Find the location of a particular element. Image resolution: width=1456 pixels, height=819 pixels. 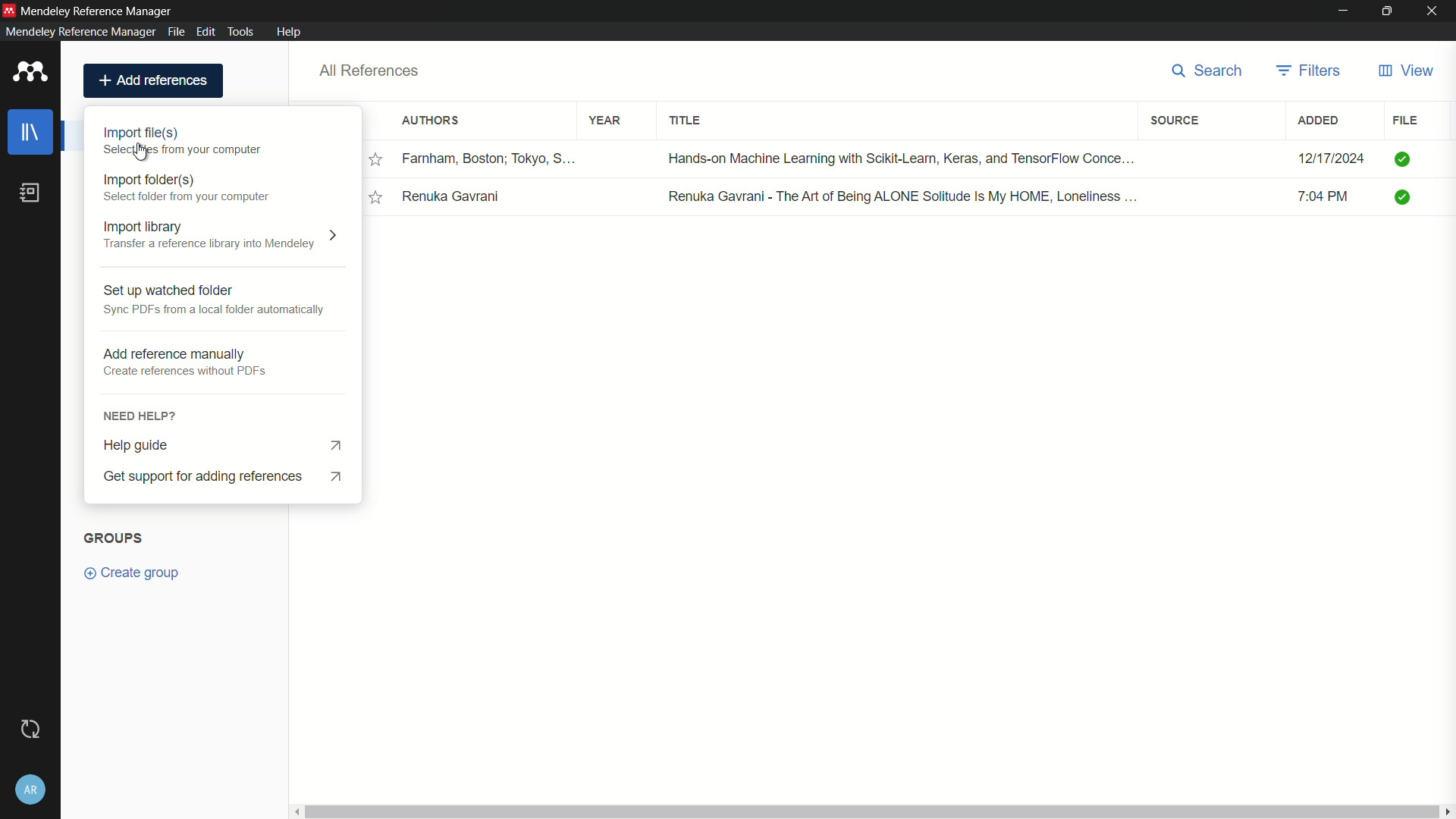

Import library: Transfer a reference library into Mendeley is located at coordinates (223, 237).